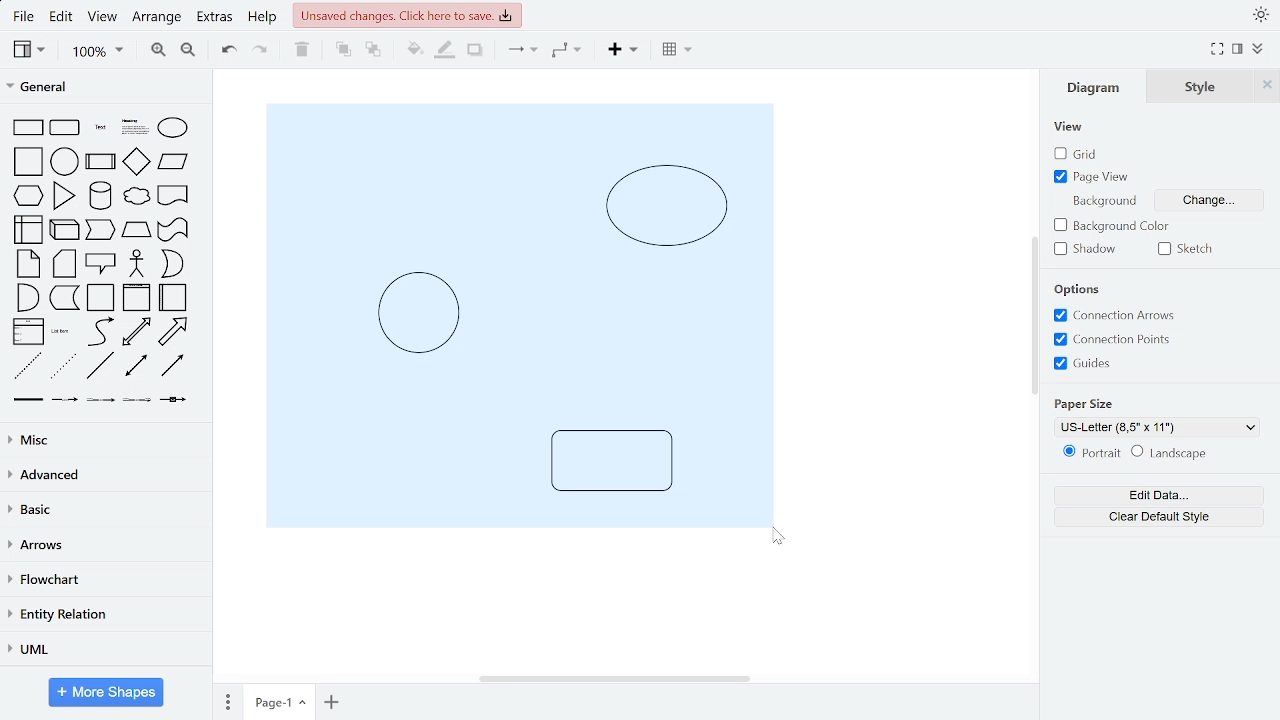 The height and width of the screenshot is (720, 1280). Describe the element at coordinates (174, 332) in the screenshot. I see `arrow` at that location.